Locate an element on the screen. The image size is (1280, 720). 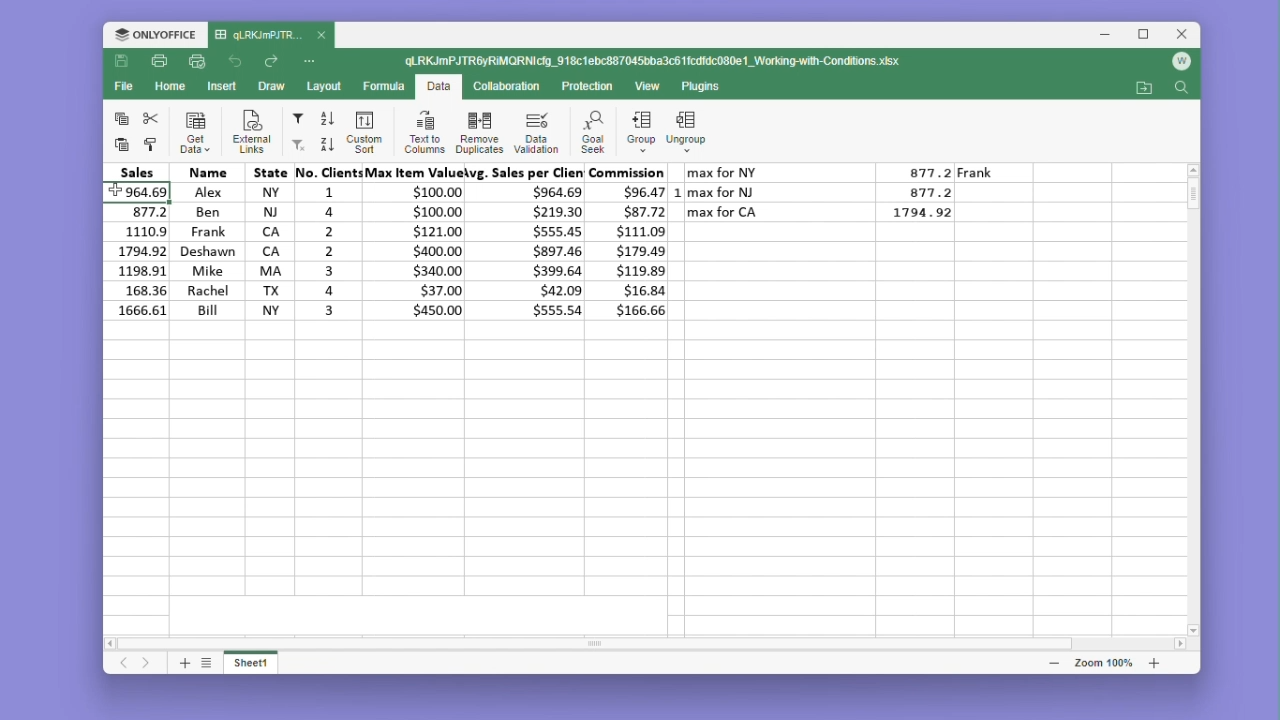
Plugins  is located at coordinates (706, 87).